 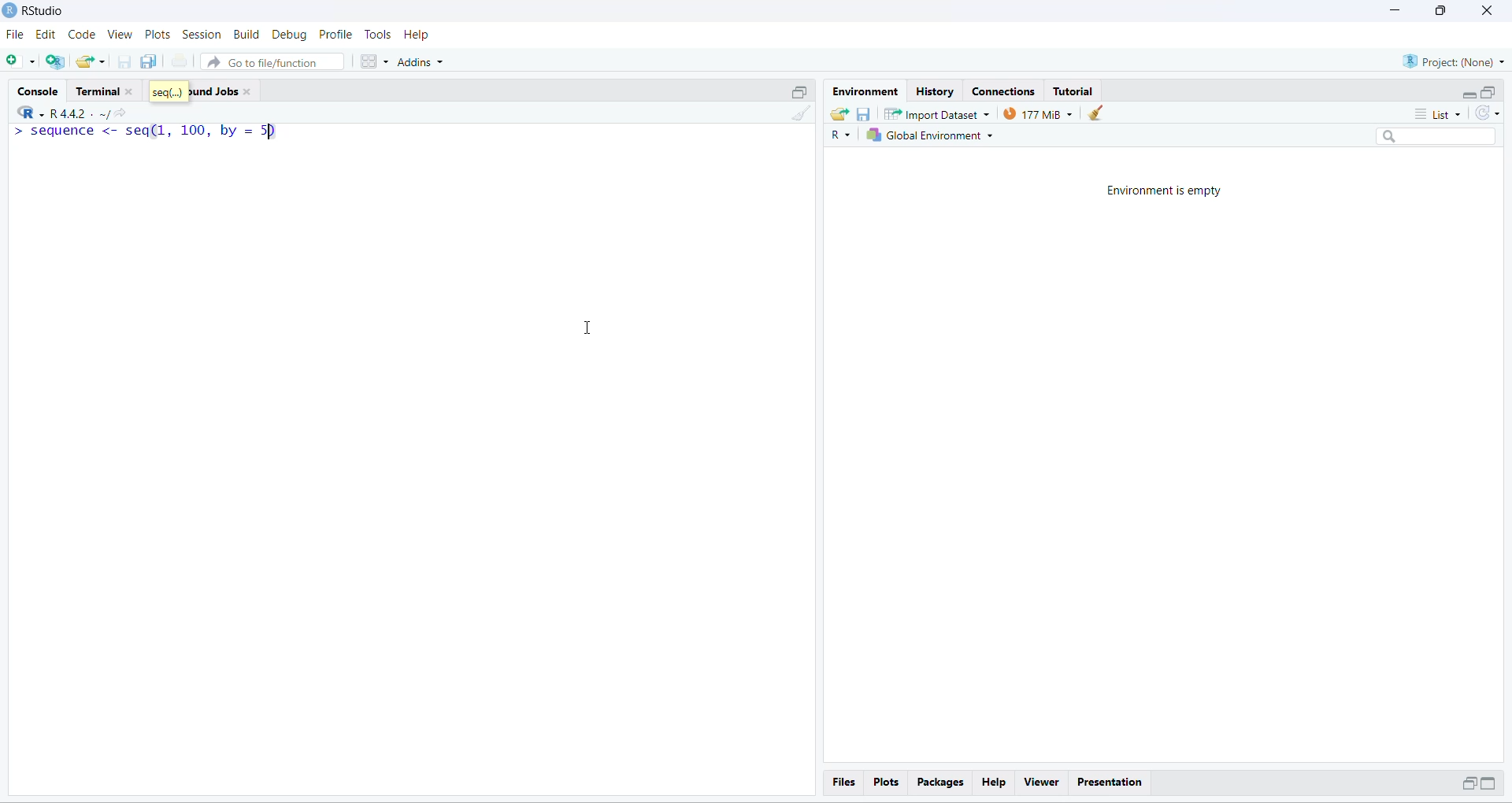 I want to click on maximise, so click(x=1441, y=11).